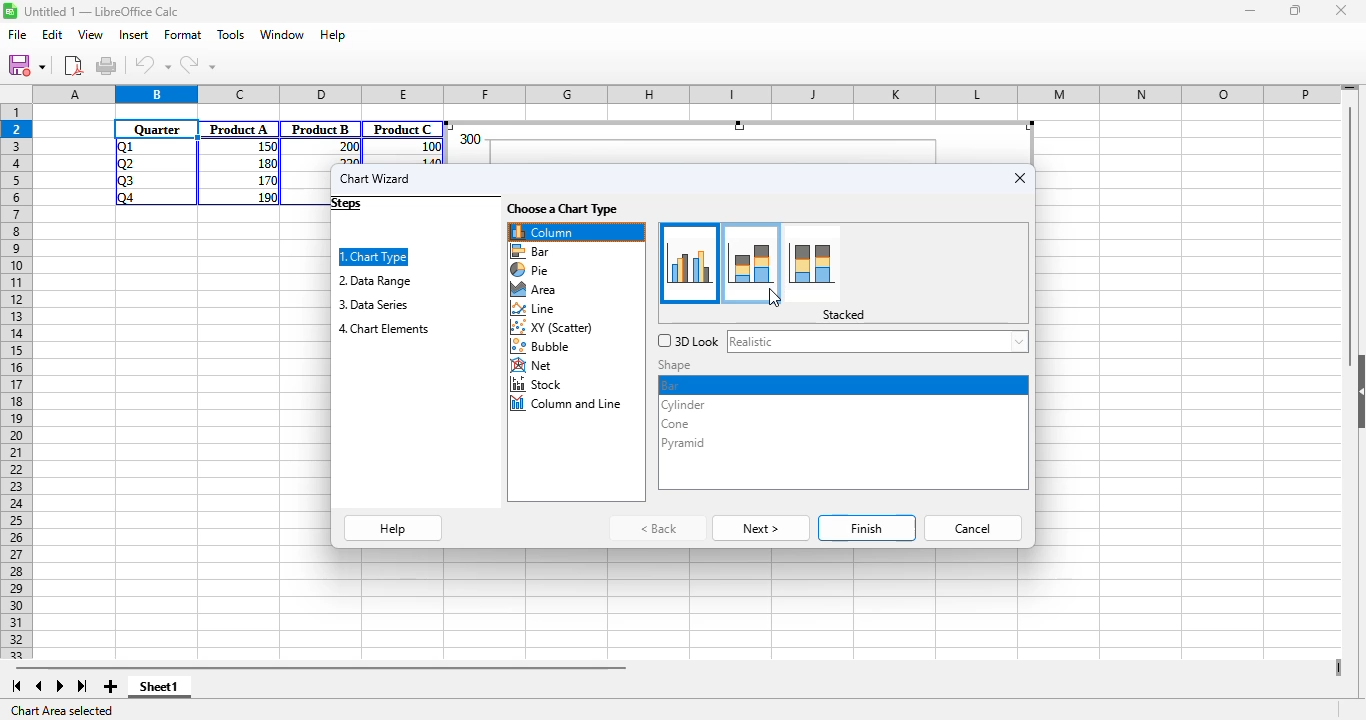 Image resolution: width=1366 pixels, height=720 pixels. Describe the element at coordinates (157, 129) in the screenshot. I see `Quarter/Cell selected` at that location.